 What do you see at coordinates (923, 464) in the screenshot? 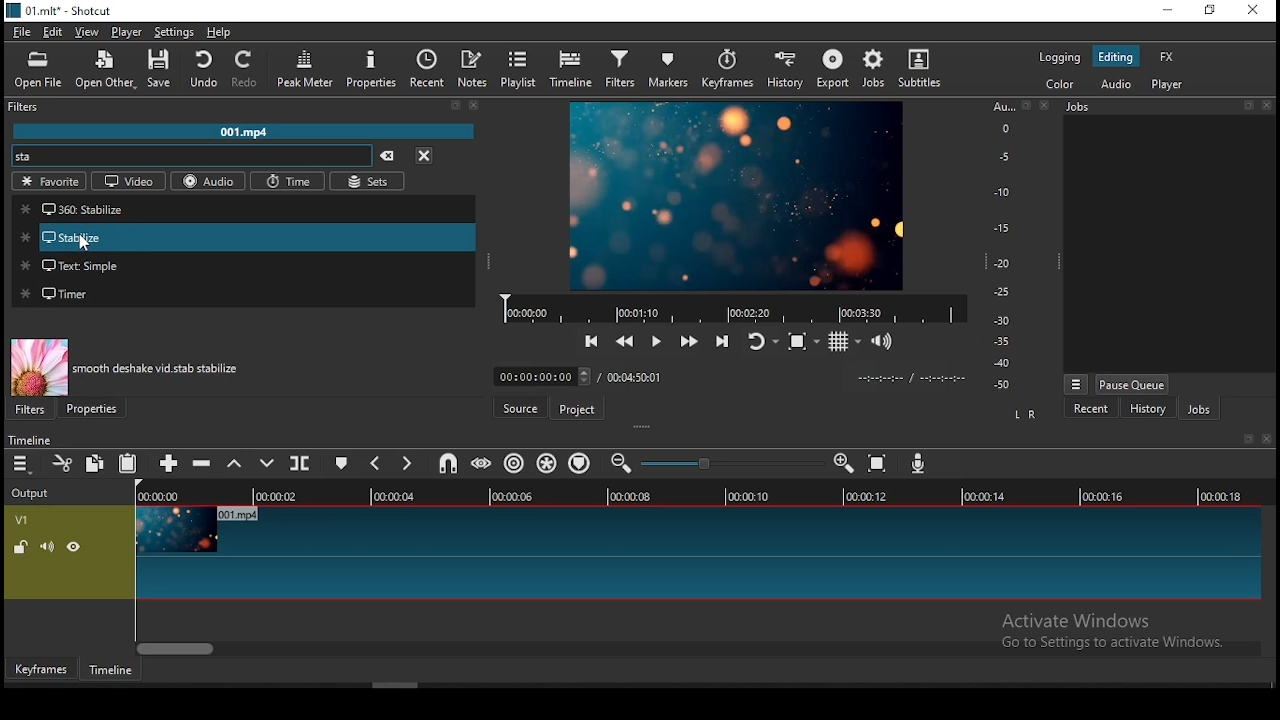
I see `record` at bounding box center [923, 464].